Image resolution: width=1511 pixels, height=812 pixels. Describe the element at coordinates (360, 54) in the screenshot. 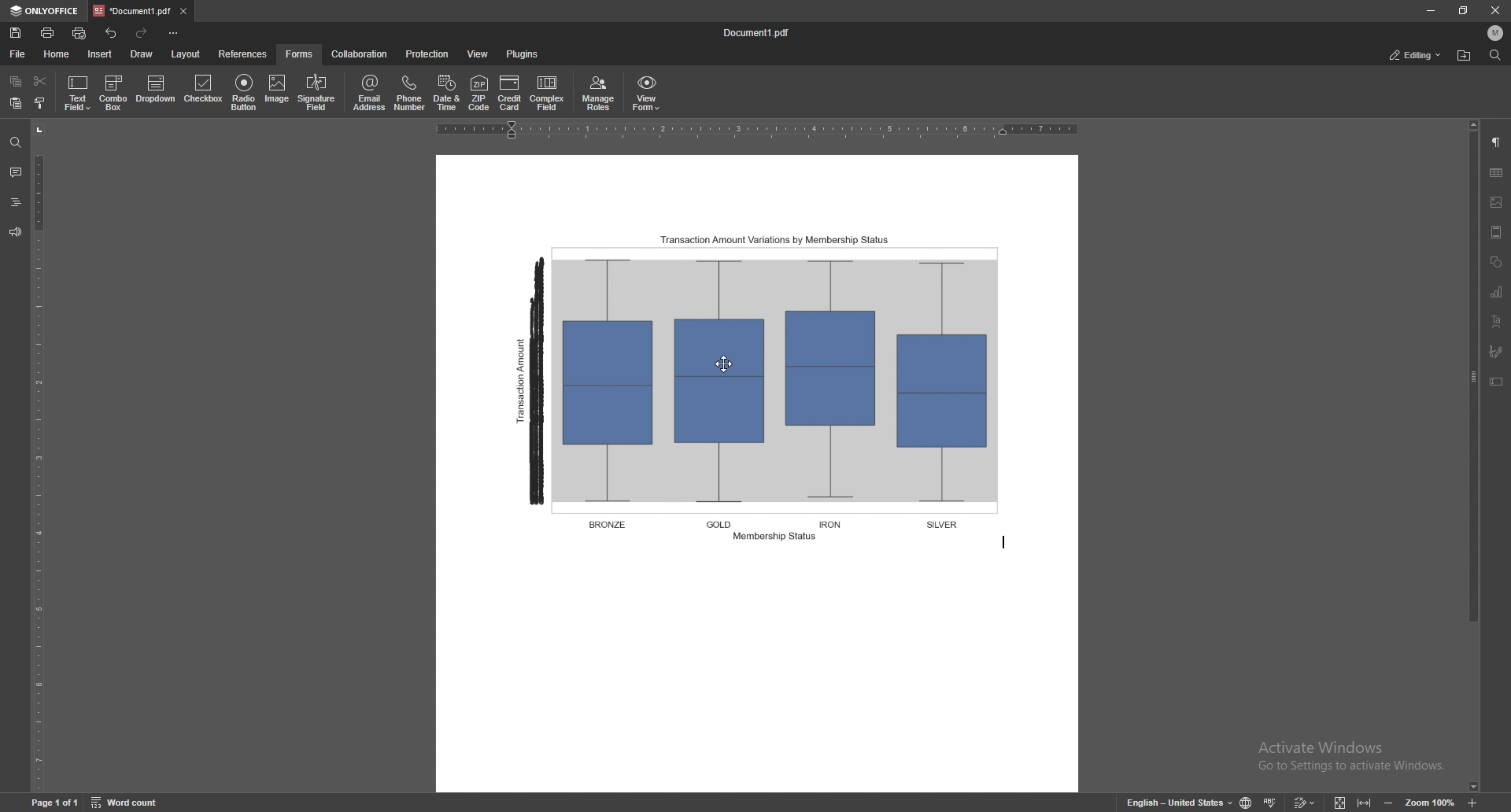

I see `collaboration` at that location.